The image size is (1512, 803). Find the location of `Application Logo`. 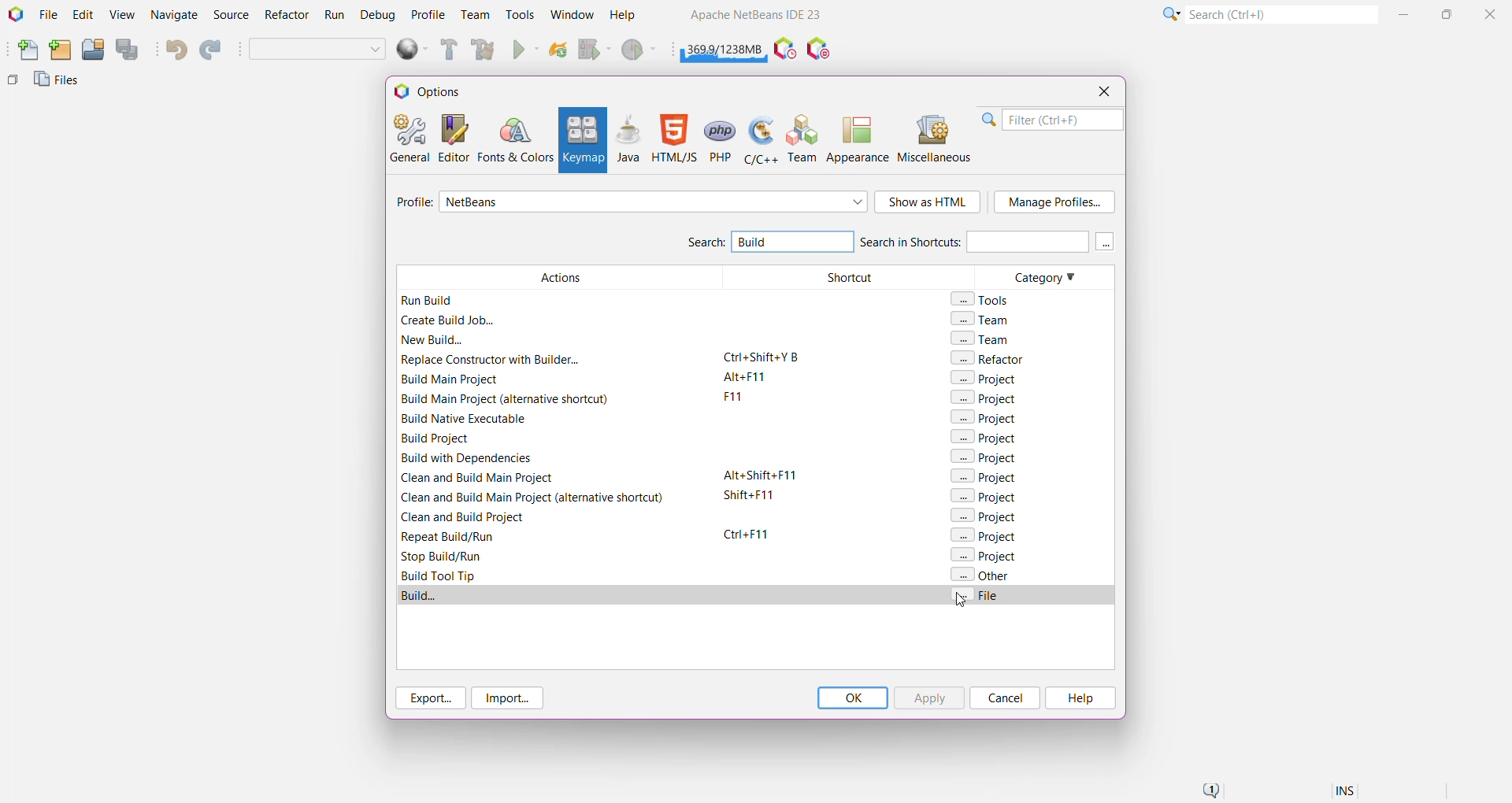

Application Logo is located at coordinates (14, 15).